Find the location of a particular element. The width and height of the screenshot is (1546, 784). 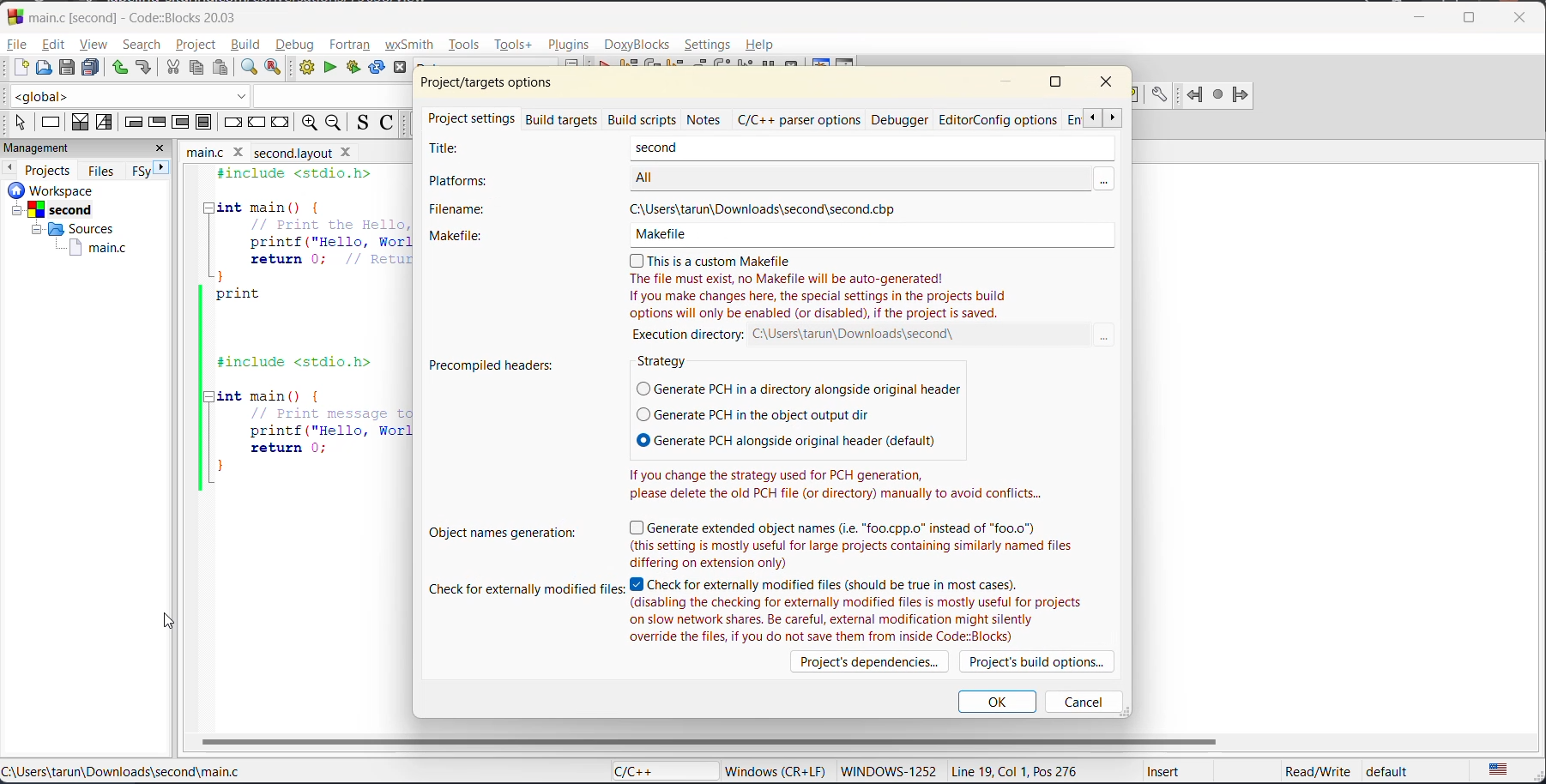

return instruction is located at coordinates (282, 123).